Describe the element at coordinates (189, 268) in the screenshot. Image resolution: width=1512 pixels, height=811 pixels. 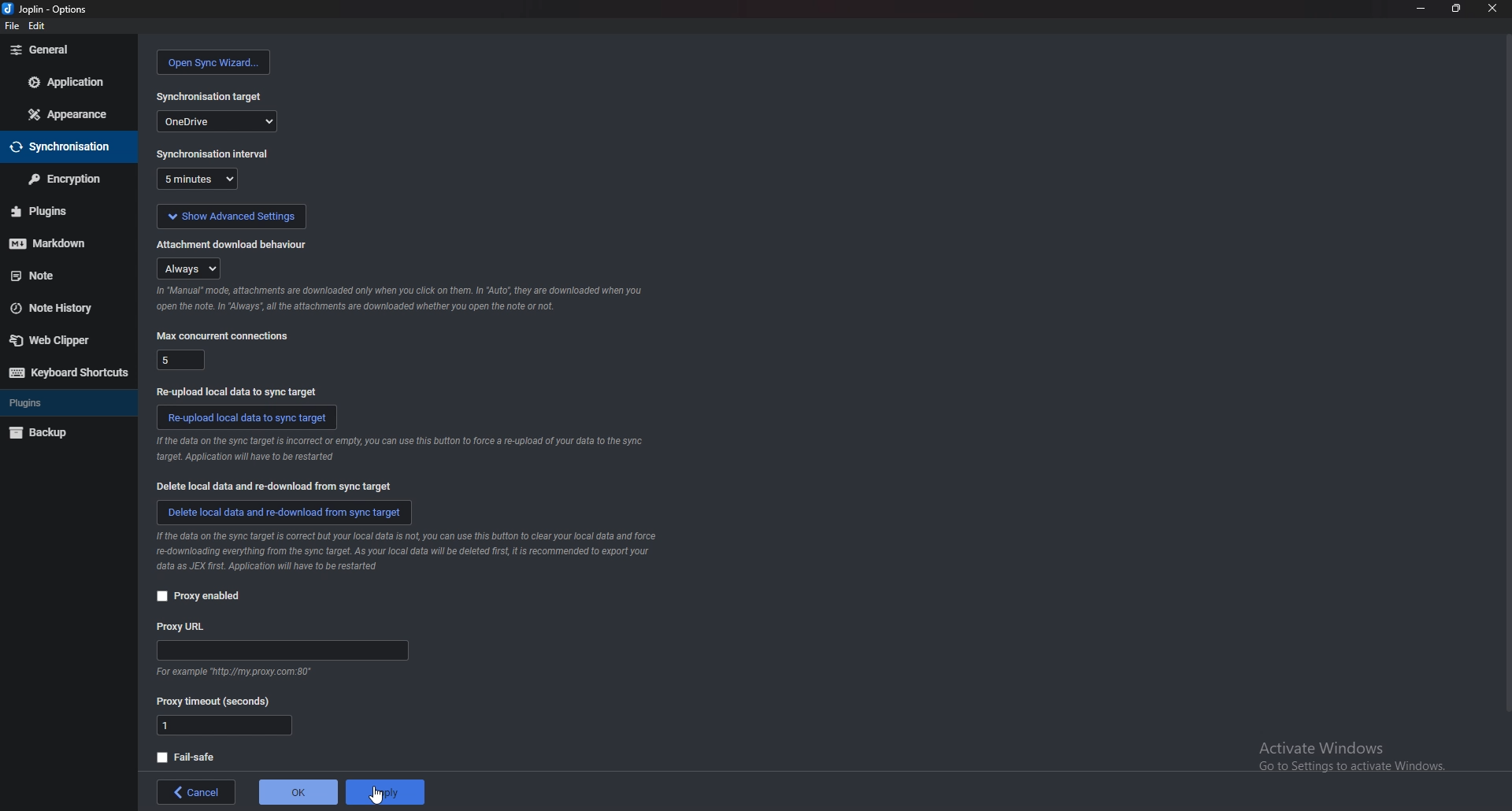
I see `always` at that location.